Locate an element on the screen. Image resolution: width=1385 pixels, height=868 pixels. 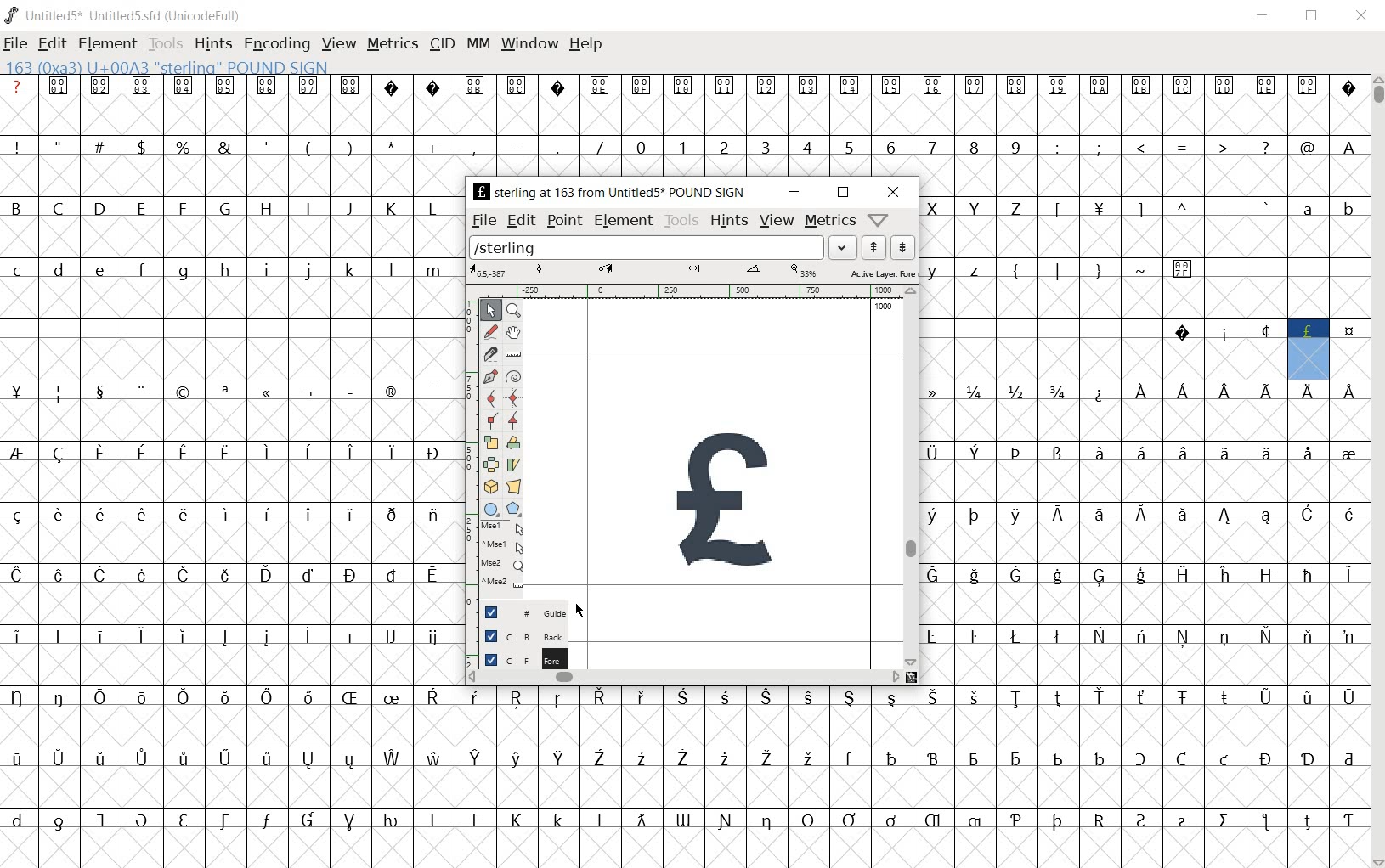
Symbol is located at coordinates (1348, 697).